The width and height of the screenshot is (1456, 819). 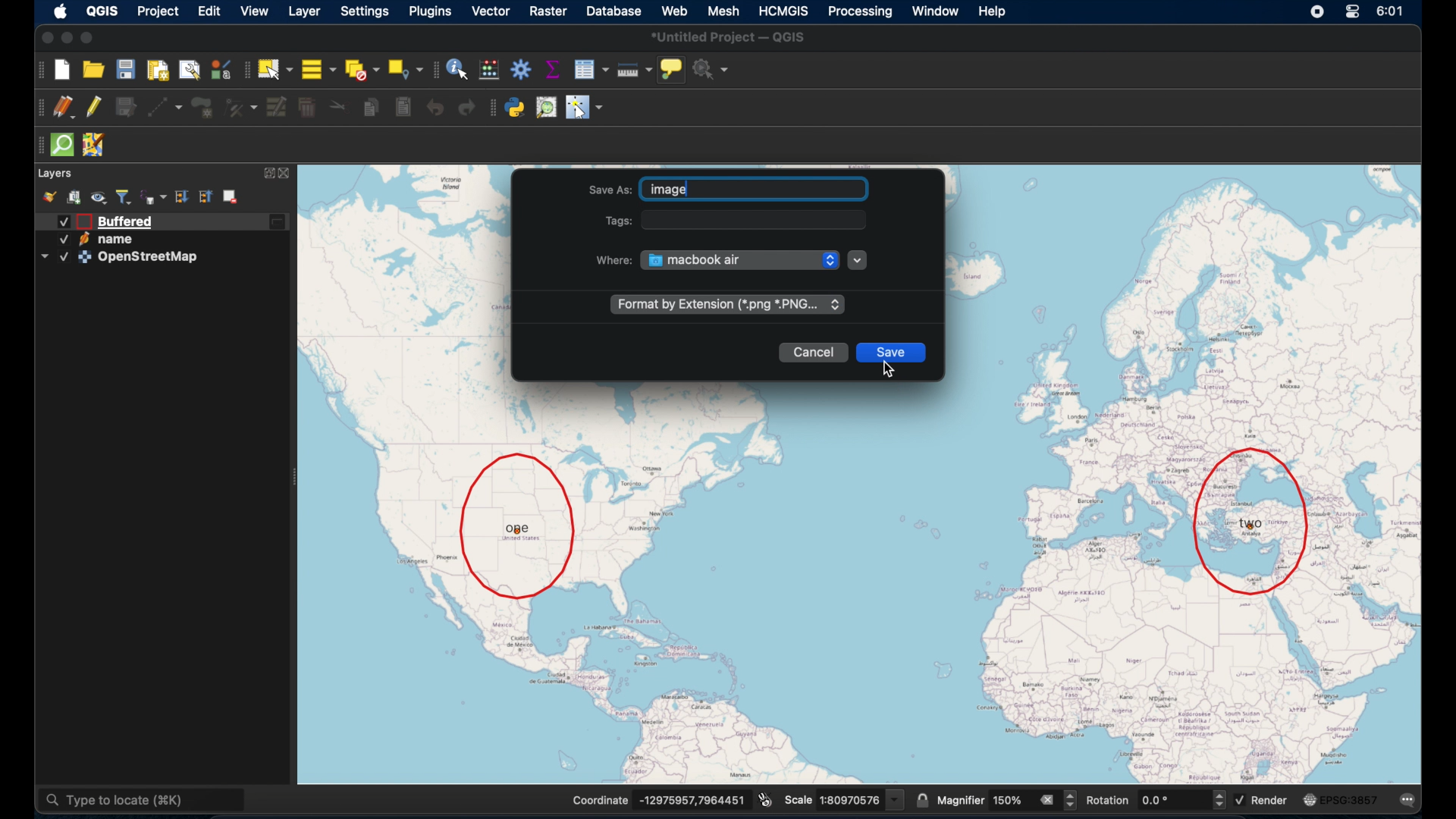 What do you see at coordinates (93, 146) in the screenshot?
I see `jsom remote` at bounding box center [93, 146].